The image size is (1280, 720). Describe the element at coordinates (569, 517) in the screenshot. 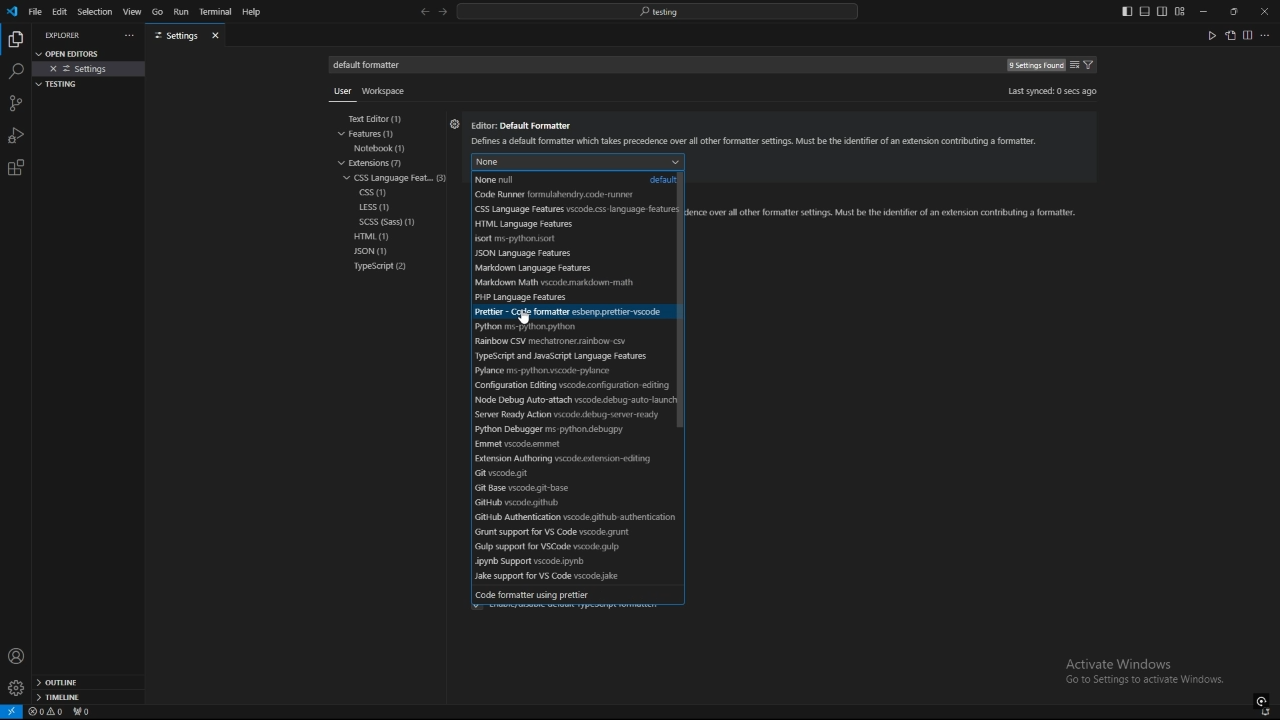

I see `github authentication` at that location.